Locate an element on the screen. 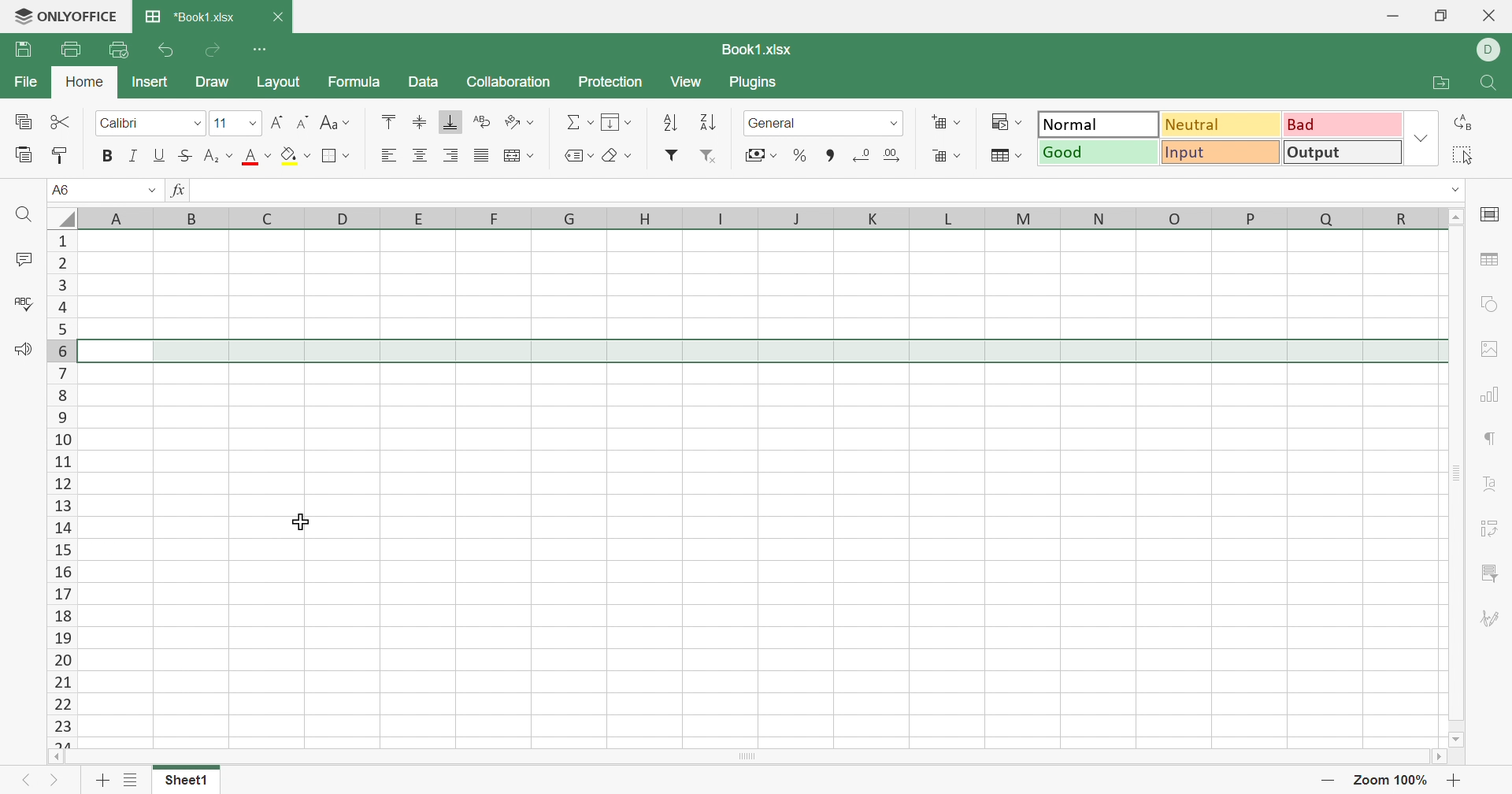 The width and height of the screenshot is (1512, 794). chart settings is located at coordinates (1489, 397).